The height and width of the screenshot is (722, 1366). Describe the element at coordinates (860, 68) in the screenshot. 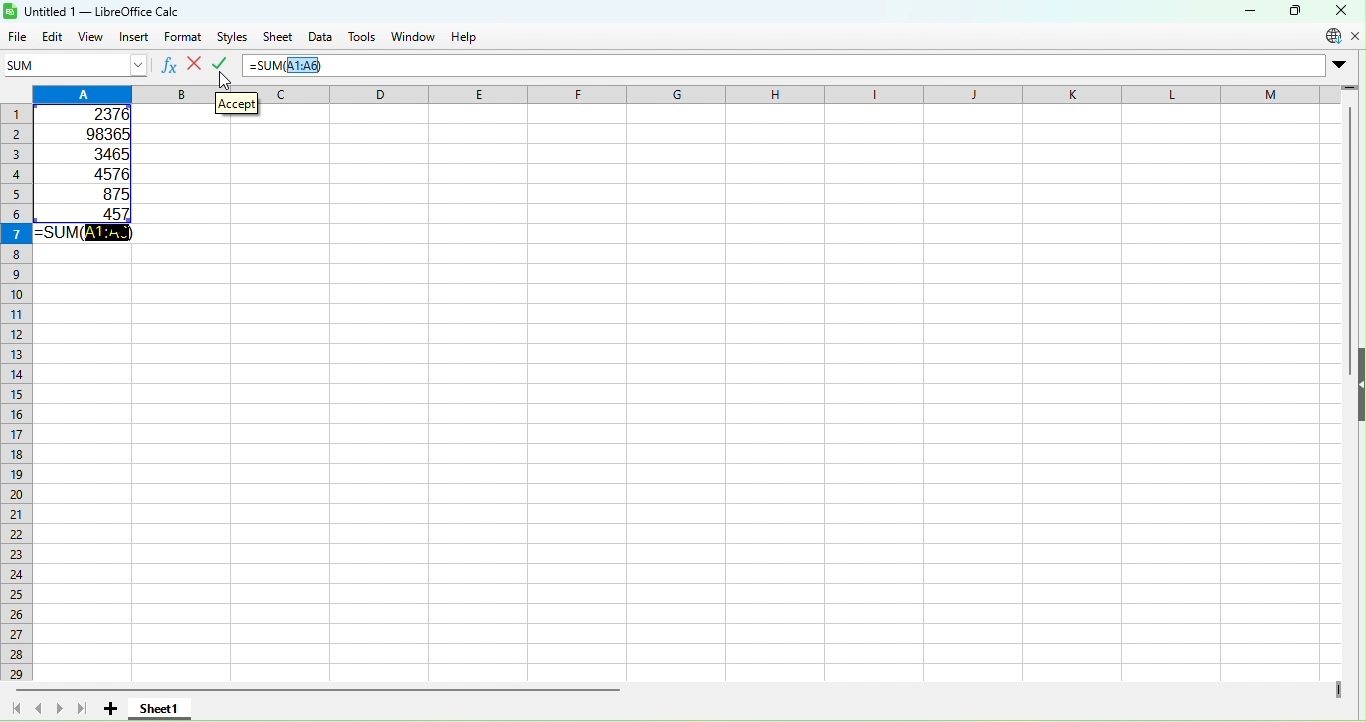

I see `formula bar` at that location.